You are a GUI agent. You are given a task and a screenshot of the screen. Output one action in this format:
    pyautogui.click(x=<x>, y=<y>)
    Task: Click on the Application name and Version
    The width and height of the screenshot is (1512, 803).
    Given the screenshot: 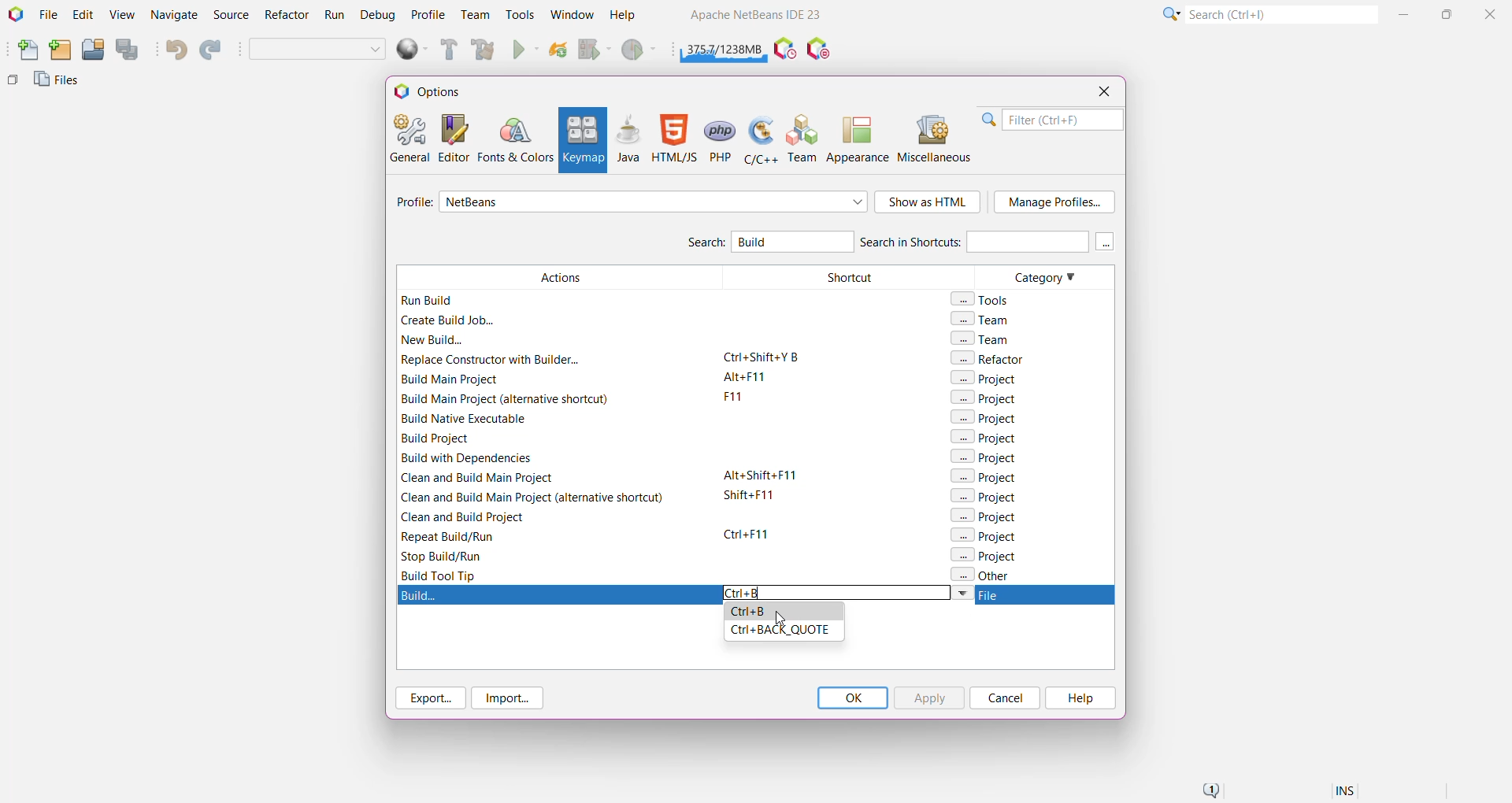 What is the action you would take?
    pyautogui.click(x=754, y=17)
    